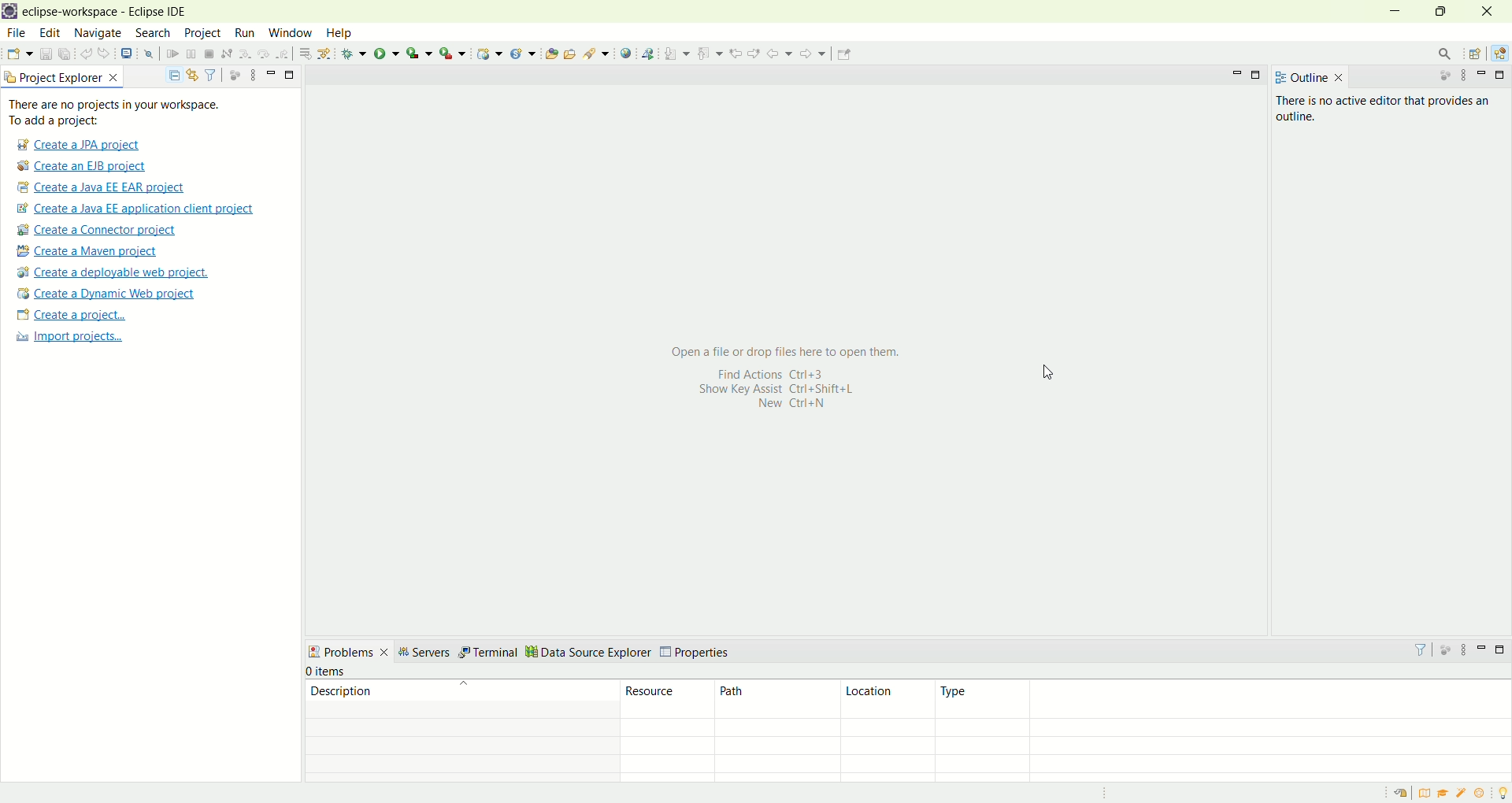  I want to click on drop to frames, so click(302, 53).